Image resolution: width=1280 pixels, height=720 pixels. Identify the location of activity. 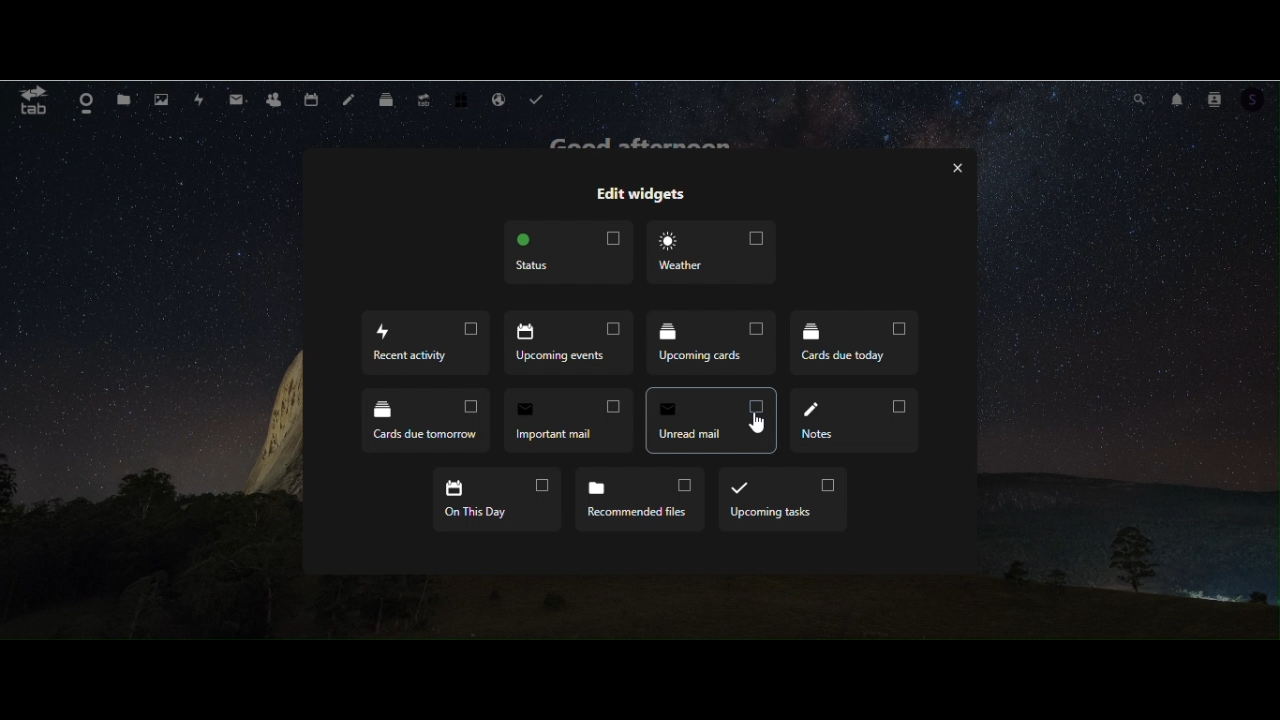
(203, 101).